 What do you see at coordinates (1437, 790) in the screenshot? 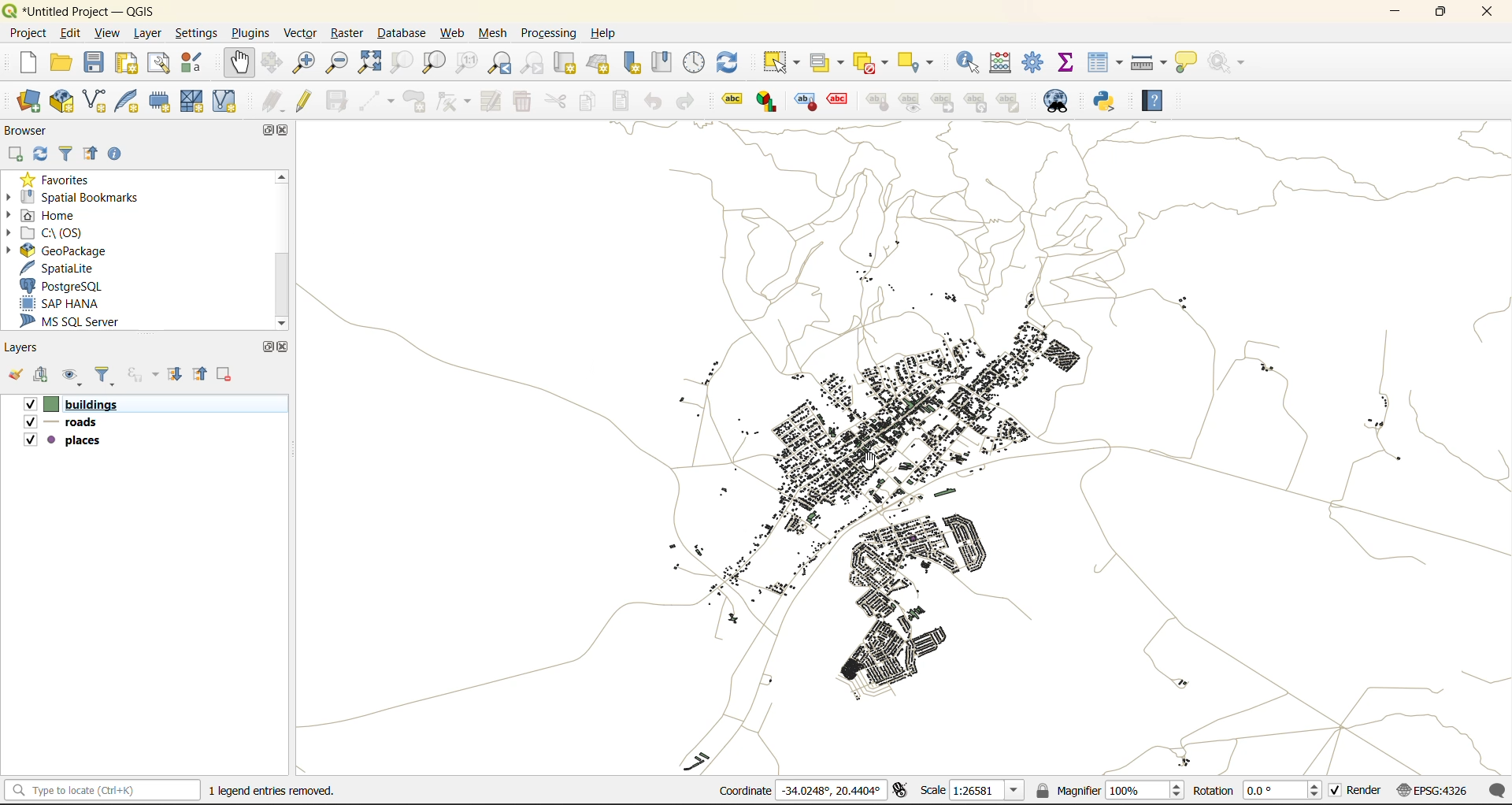
I see `crs` at bounding box center [1437, 790].